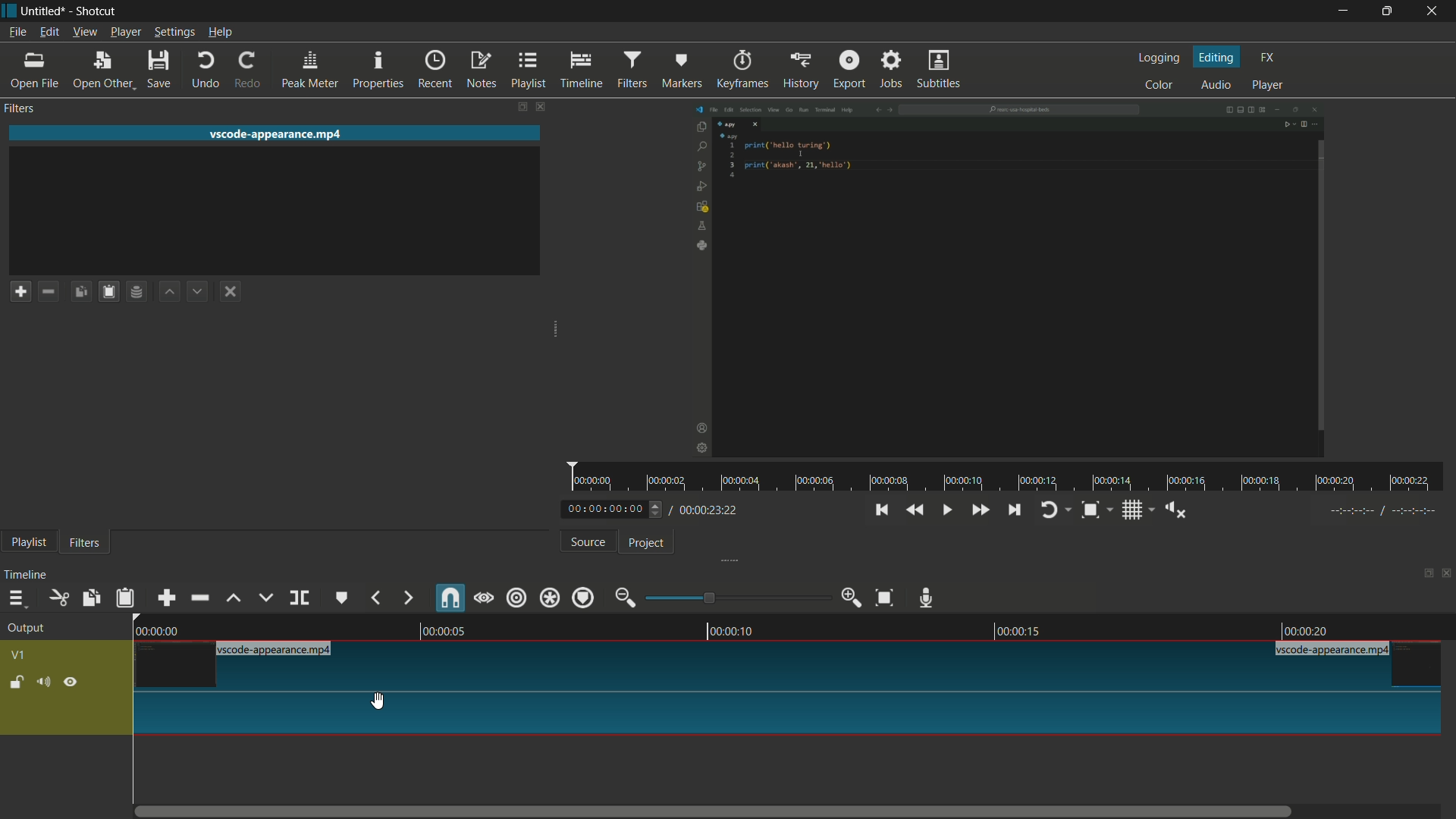  I want to click on app name, so click(96, 12).